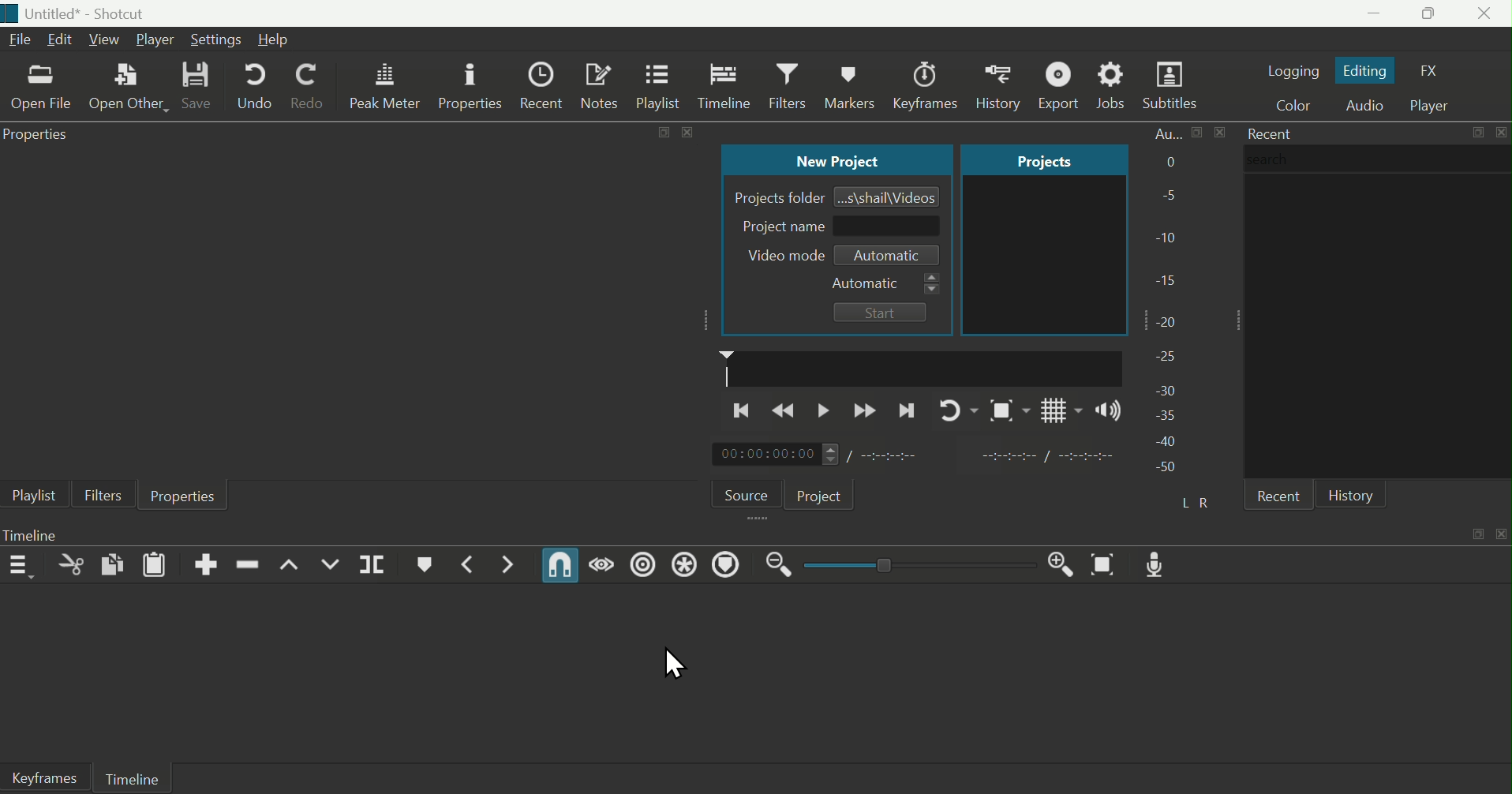 The image size is (1512, 794). Describe the element at coordinates (776, 197) in the screenshot. I see `Projects folder` at that location.